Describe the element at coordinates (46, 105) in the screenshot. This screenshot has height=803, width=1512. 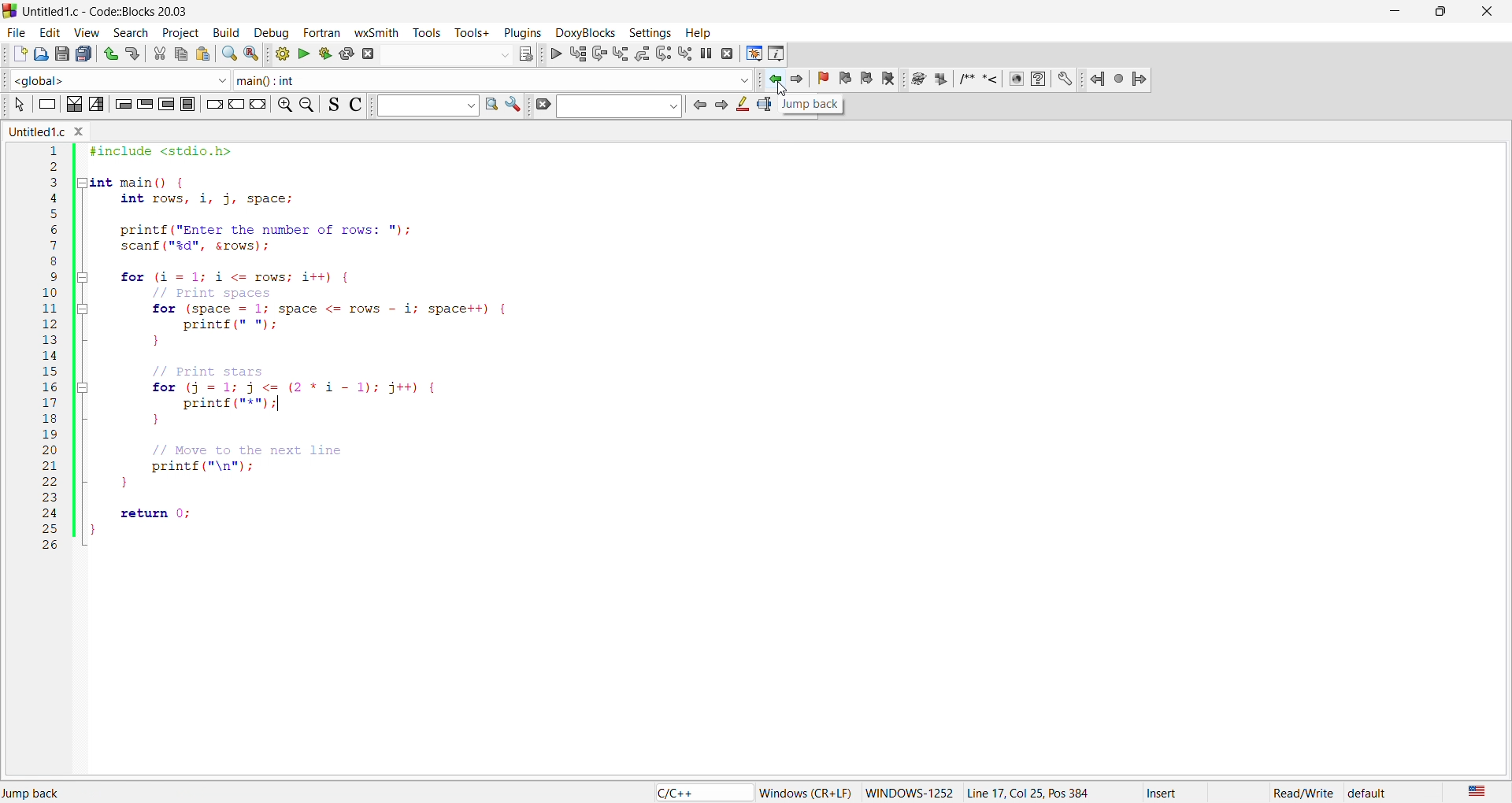
I see `icon` at that location.